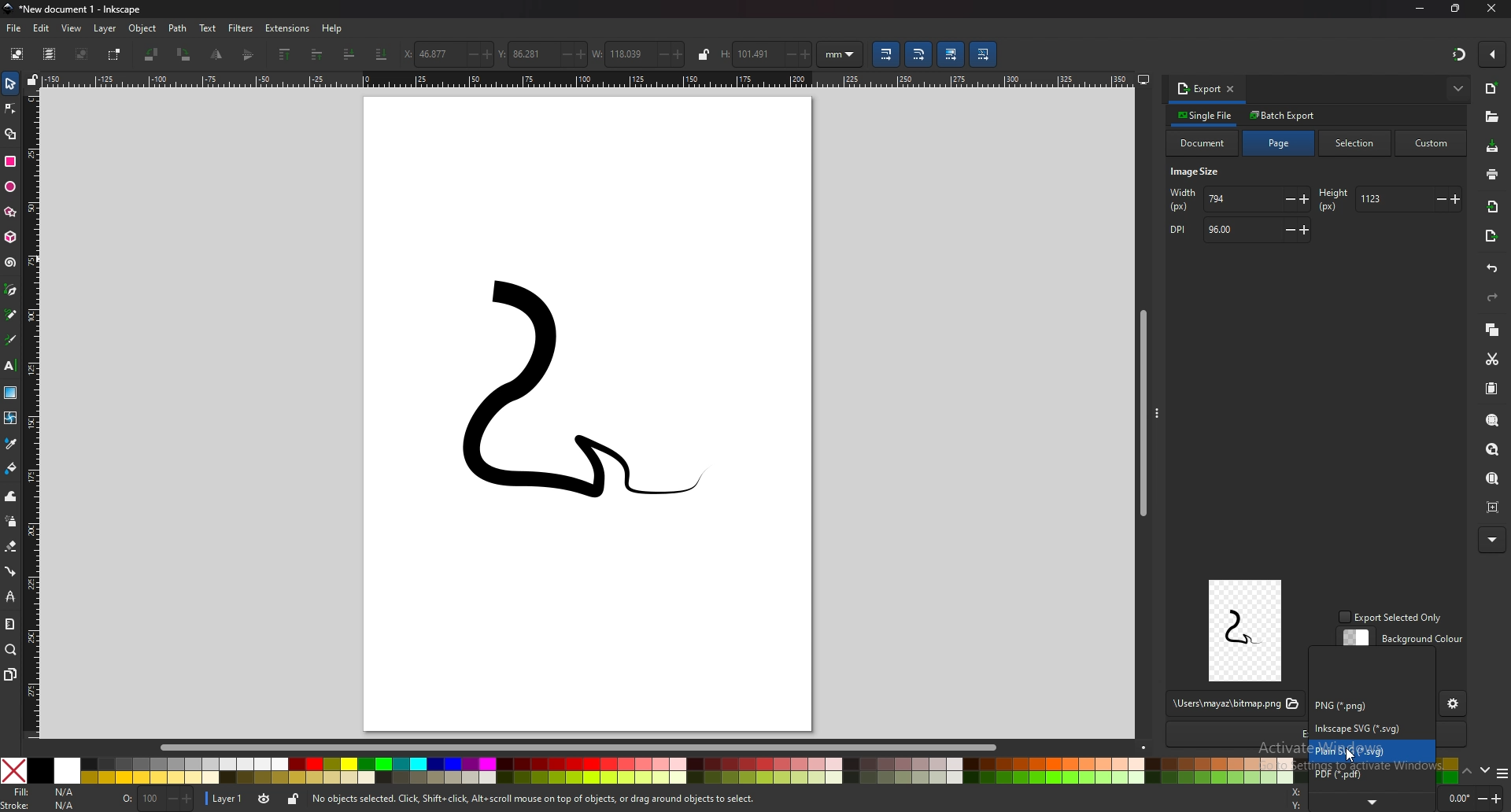  Describe the element at coordinates (1203, 143) in the screenshot. I see `document` at that location.